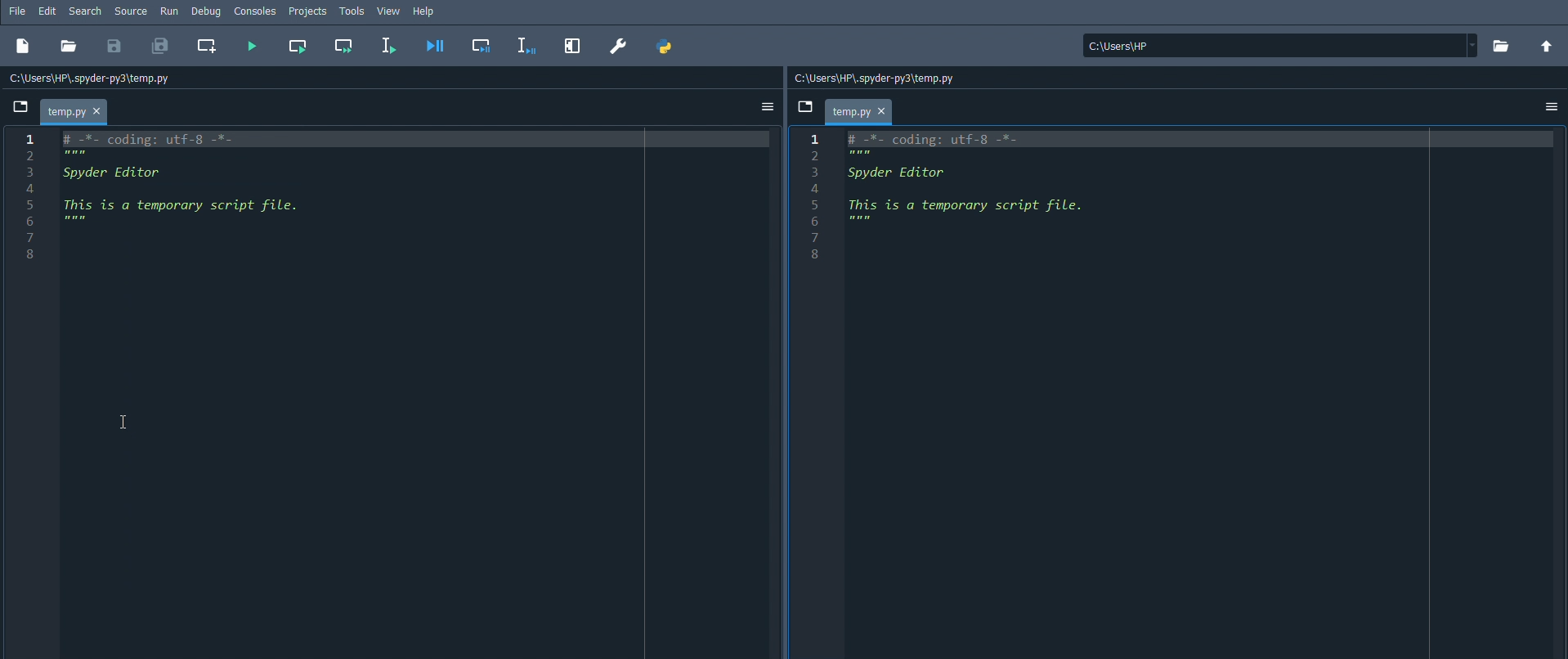 The image size is (1568, 659). I want to click on Source, so click(131, 12).